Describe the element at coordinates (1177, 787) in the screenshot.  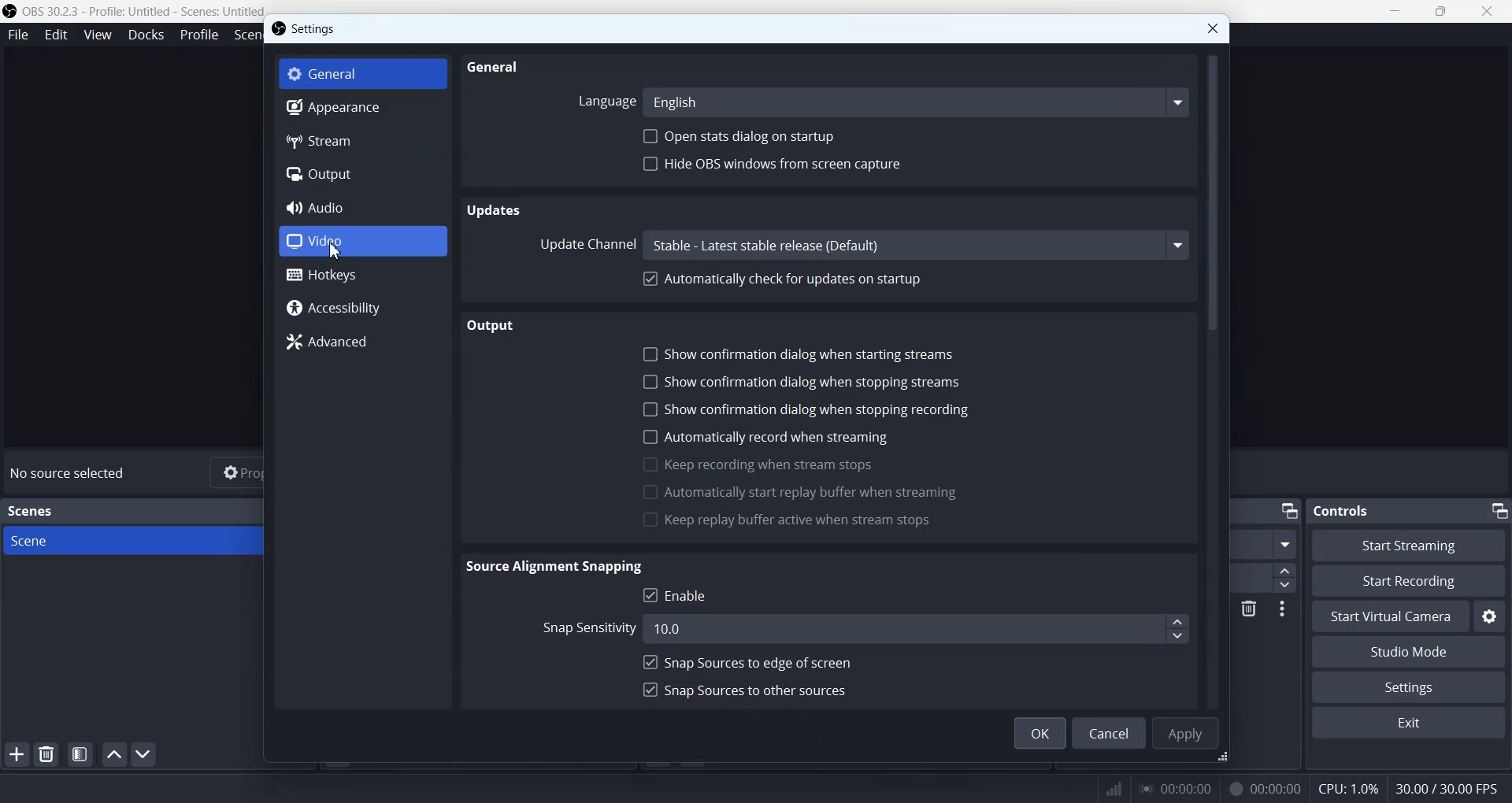
I see `00:00:00` at that location.